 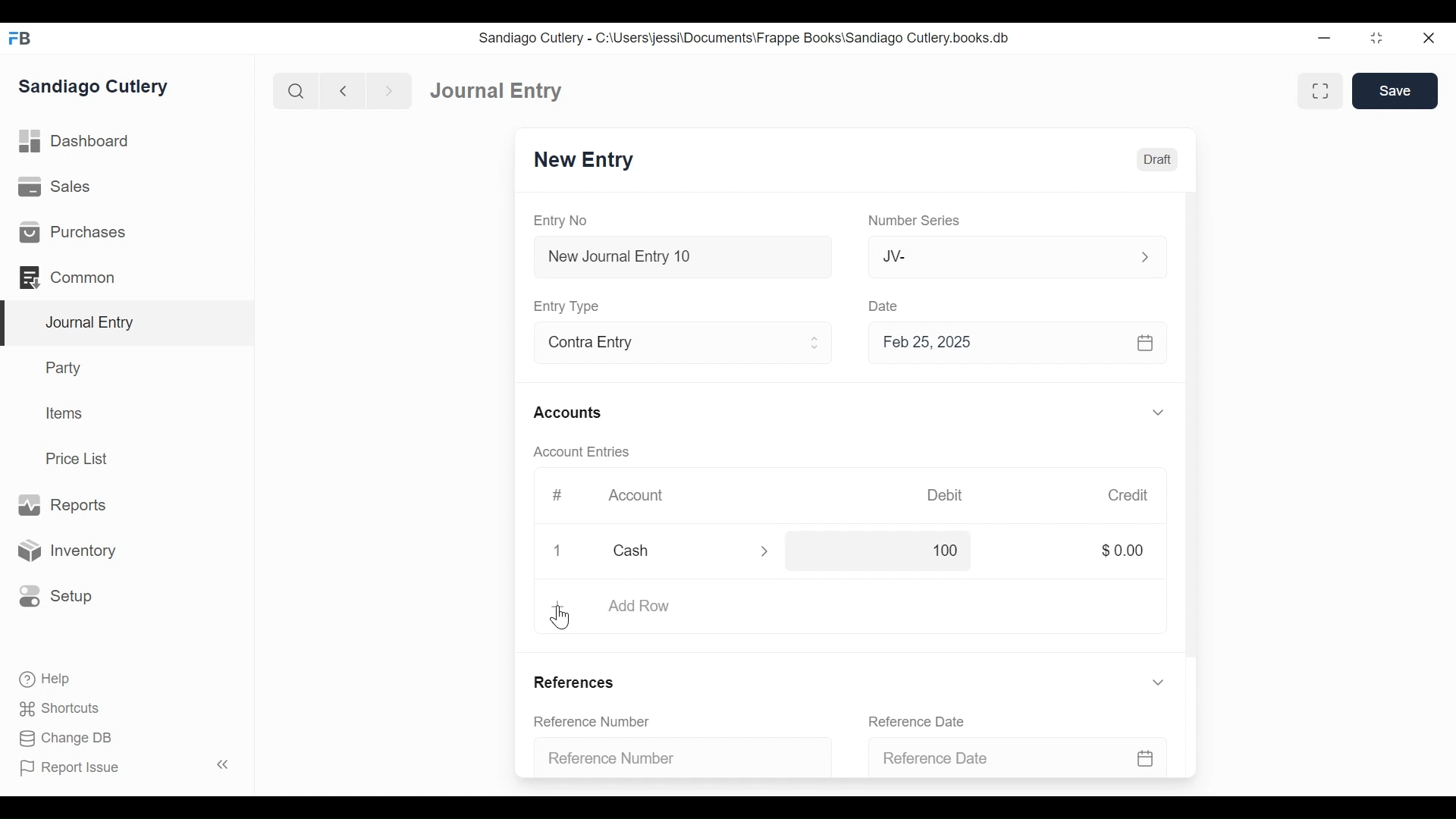 I want to click on Entry No, so click(x=565, y=220).